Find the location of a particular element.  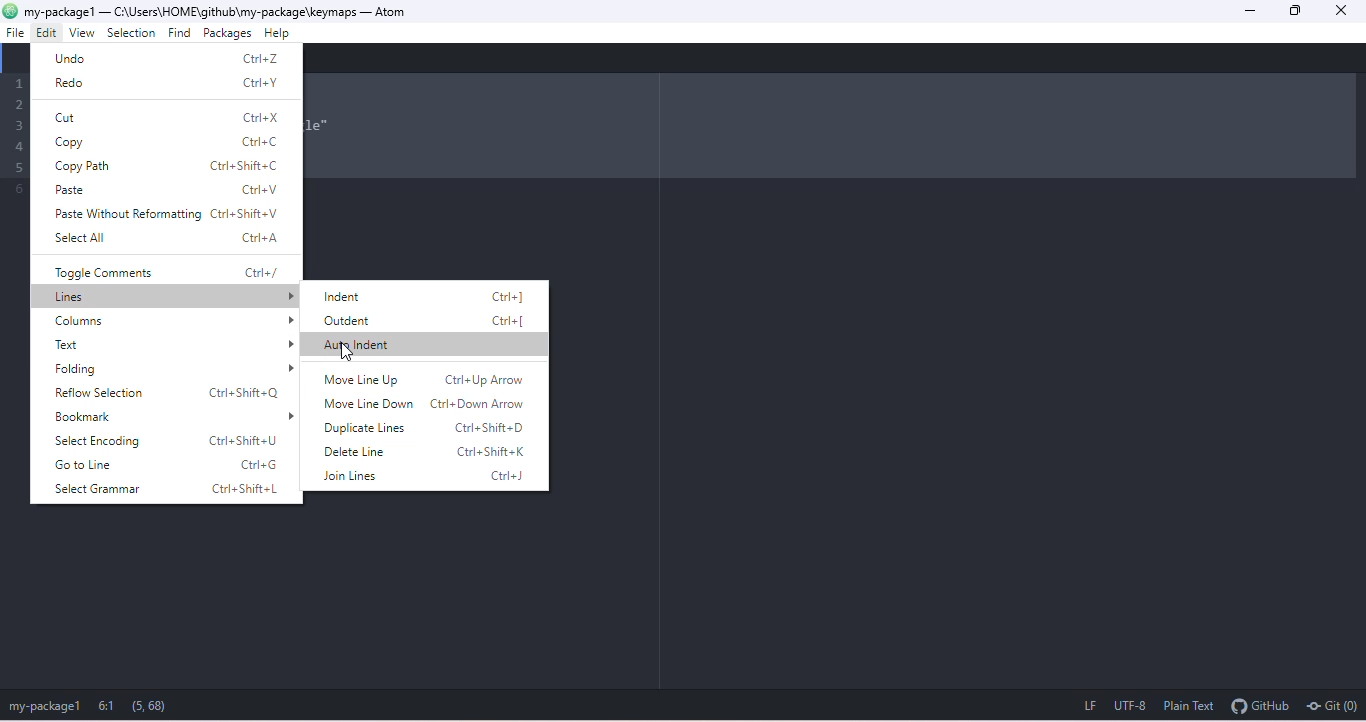

outdent is located at coordinates (427, 321).